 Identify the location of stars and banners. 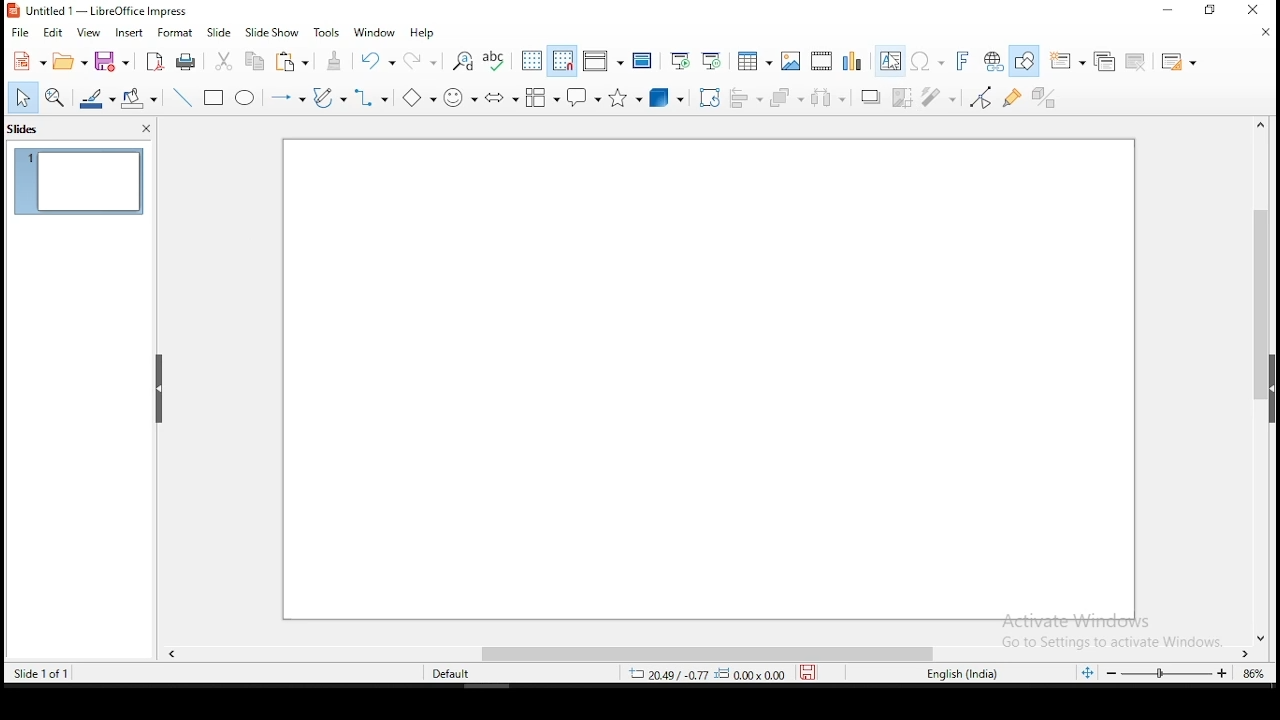
(626, 98).